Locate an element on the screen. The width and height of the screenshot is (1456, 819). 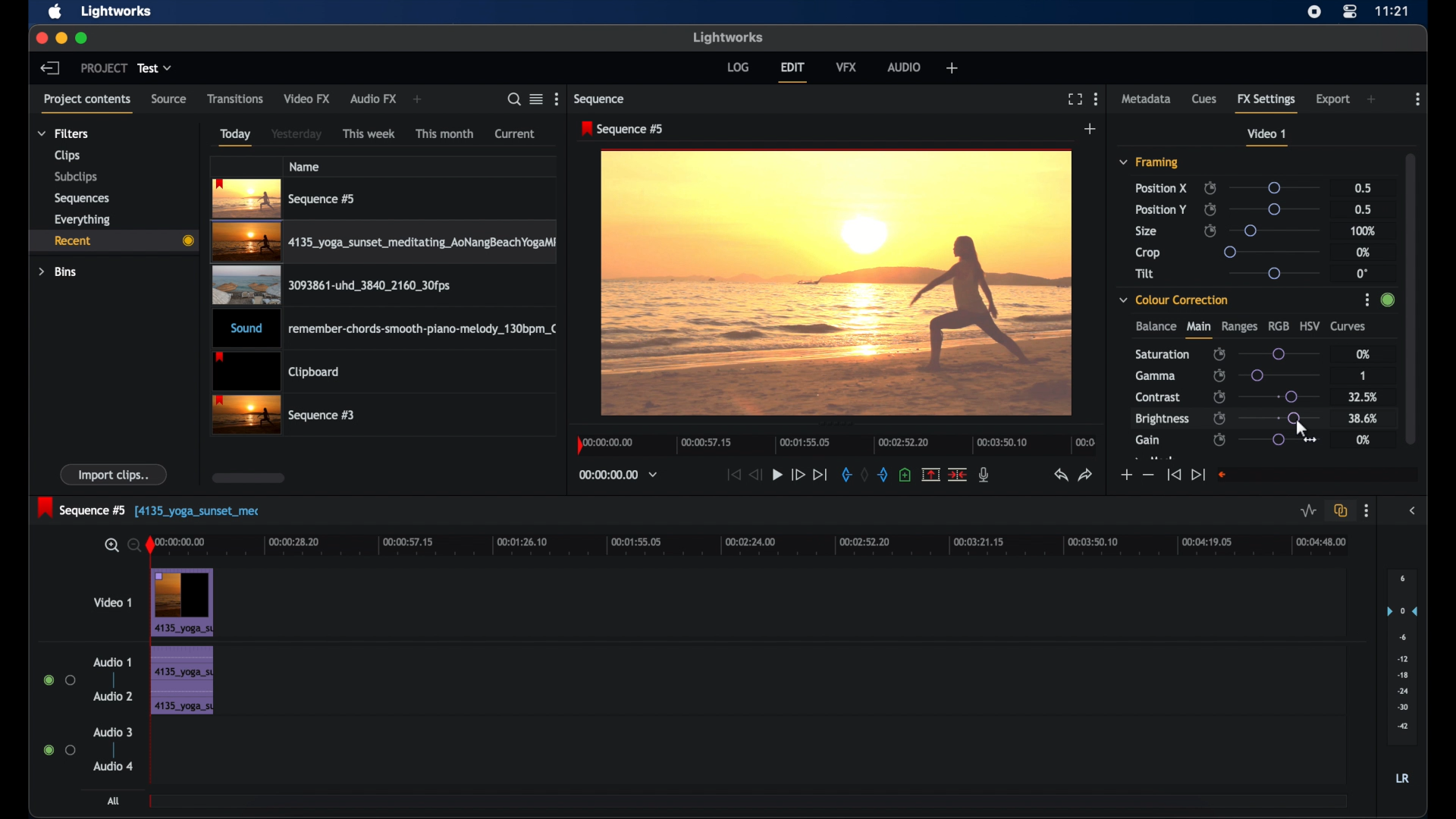
video fx is located at coordinates (306, 99).